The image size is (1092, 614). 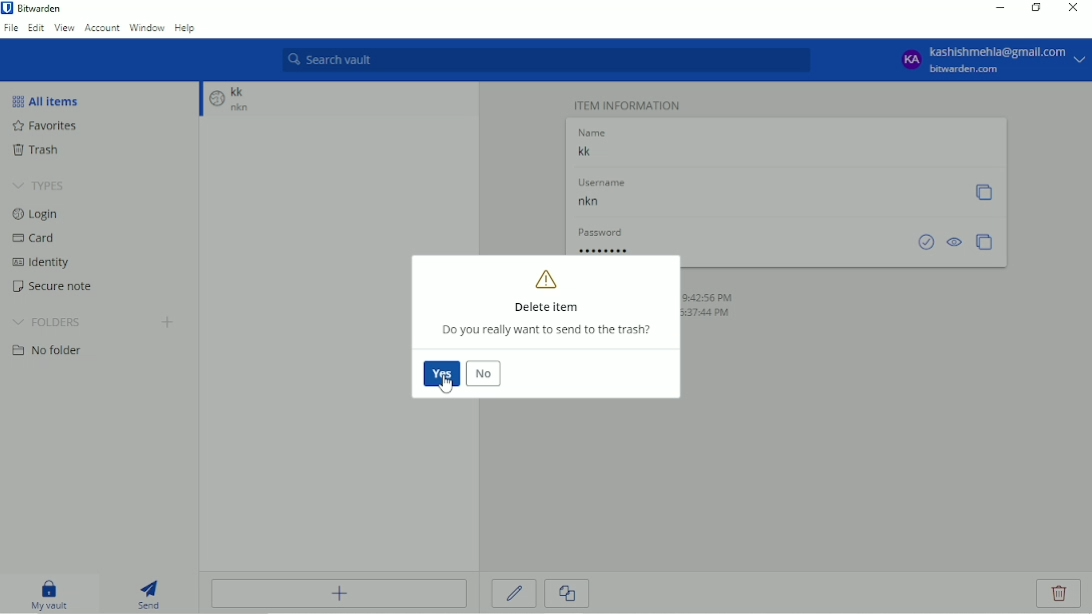 I want to click on Delete, so click(x=1057, y=593).